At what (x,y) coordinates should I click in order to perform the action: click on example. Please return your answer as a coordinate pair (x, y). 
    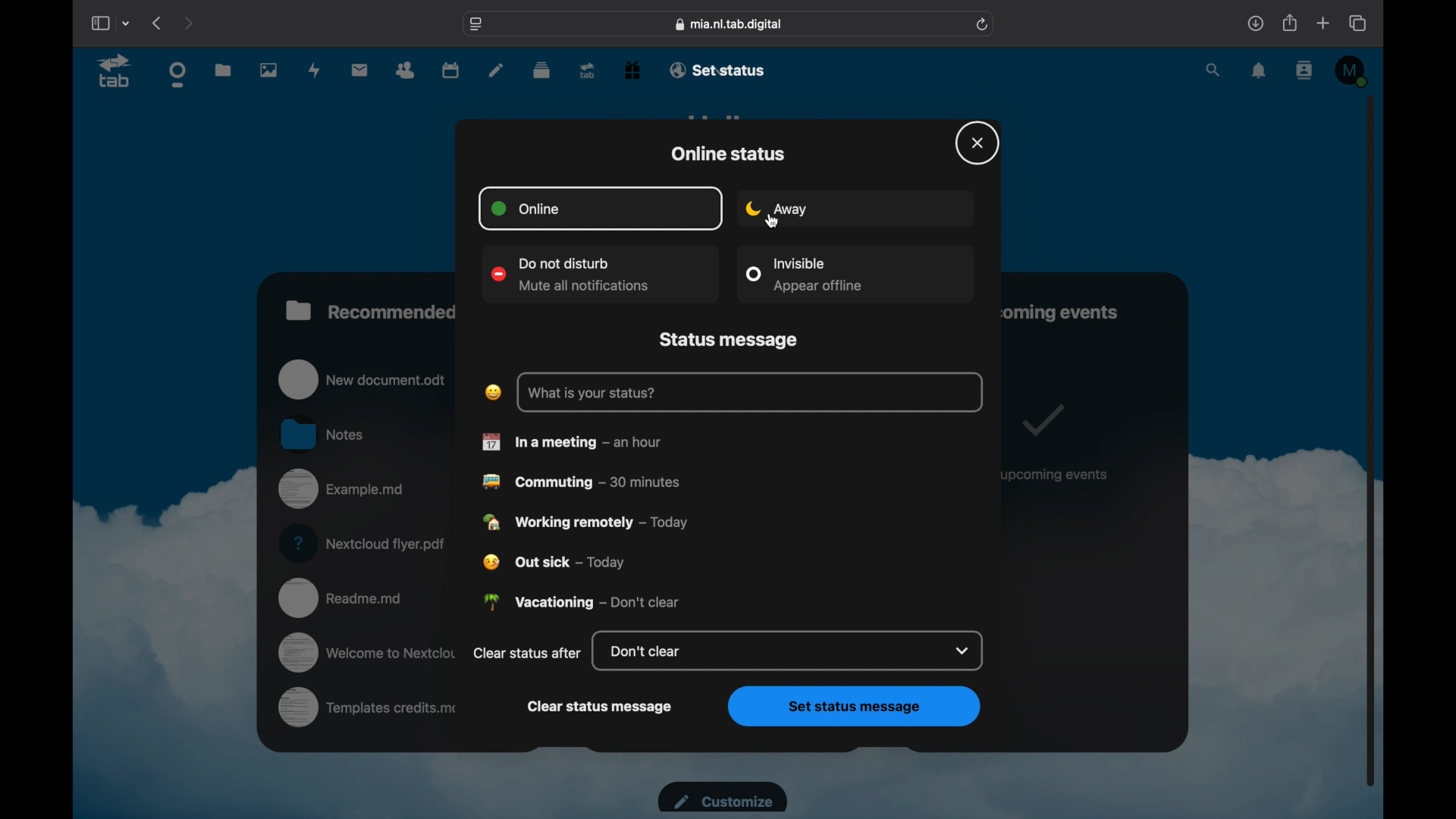
    Looking at the image, I should click on (344, 490).